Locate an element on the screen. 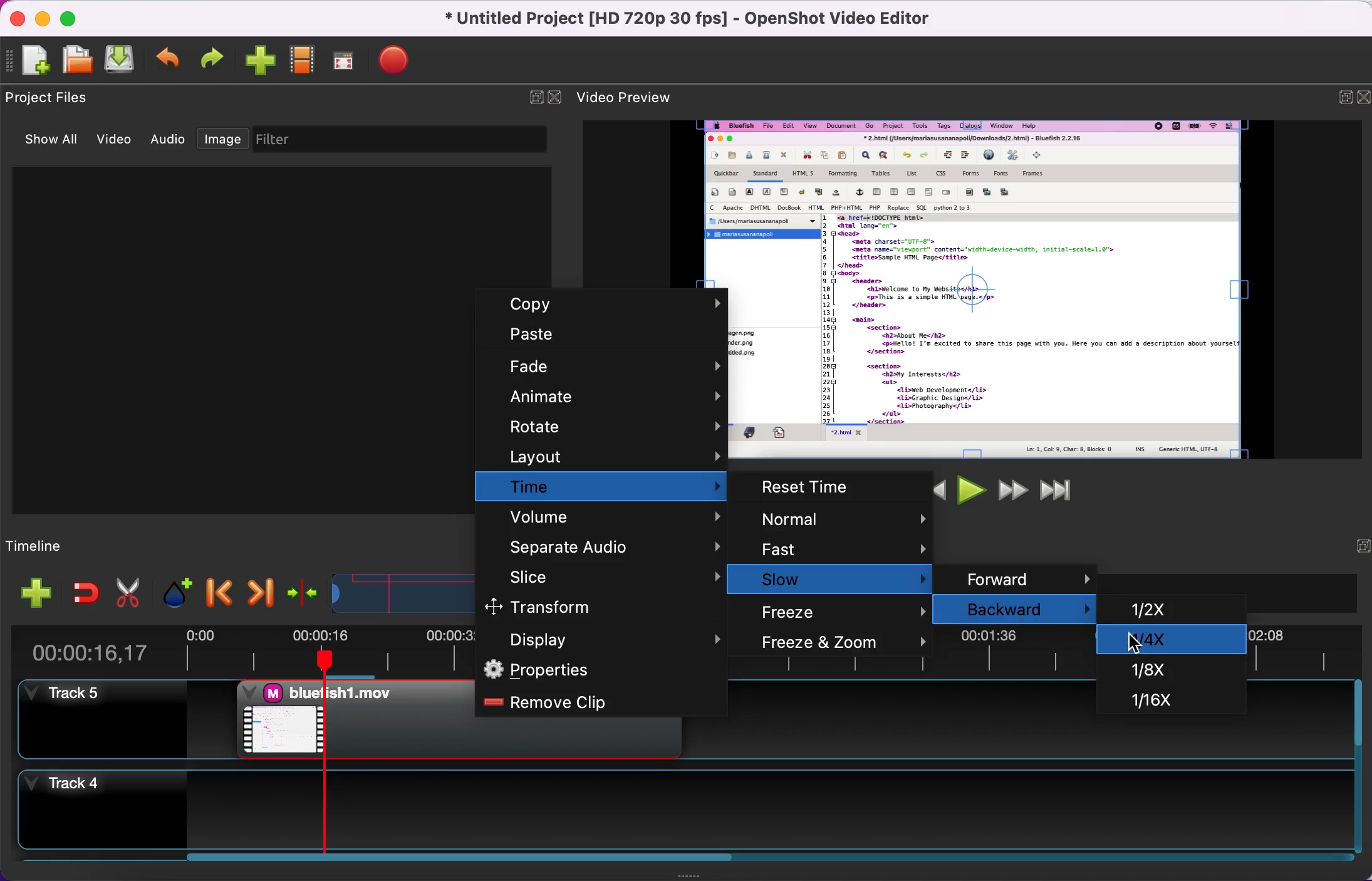  play is located at coordinates (969, 489).